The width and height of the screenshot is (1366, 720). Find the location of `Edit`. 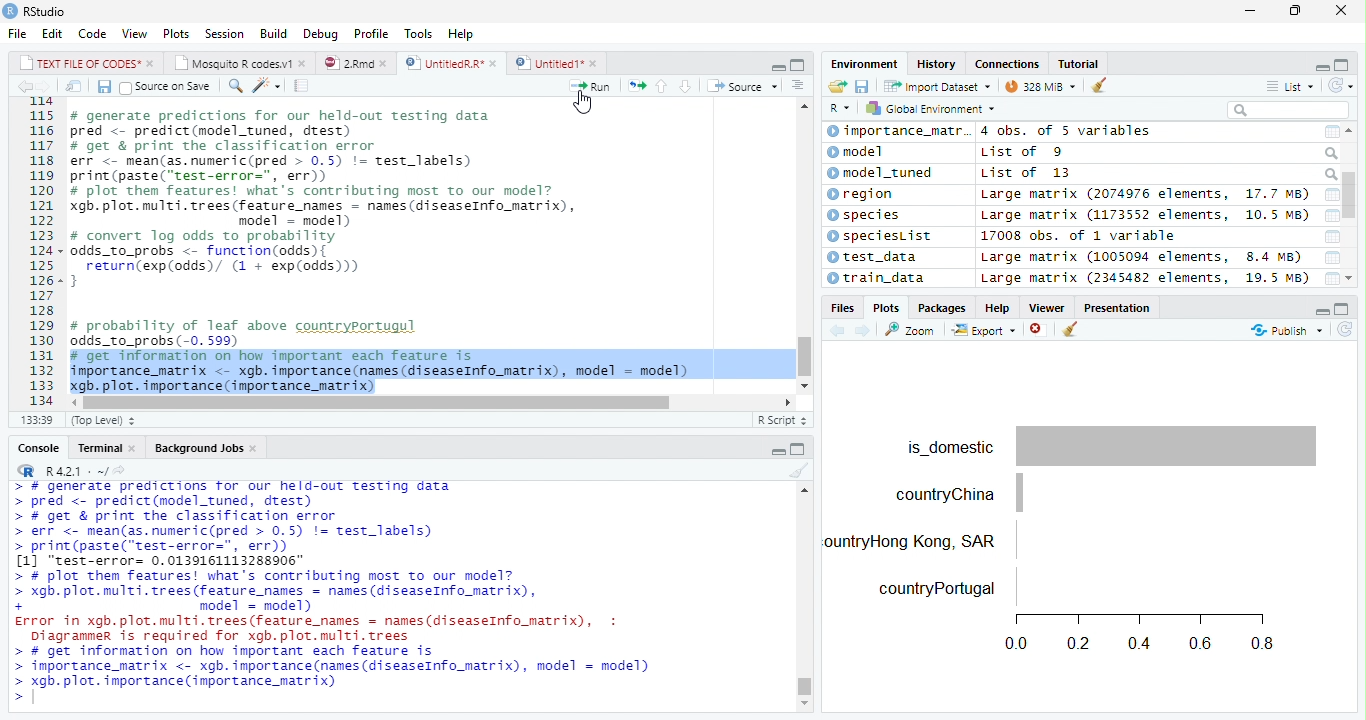

Edit is located at coordinates (50, 33).